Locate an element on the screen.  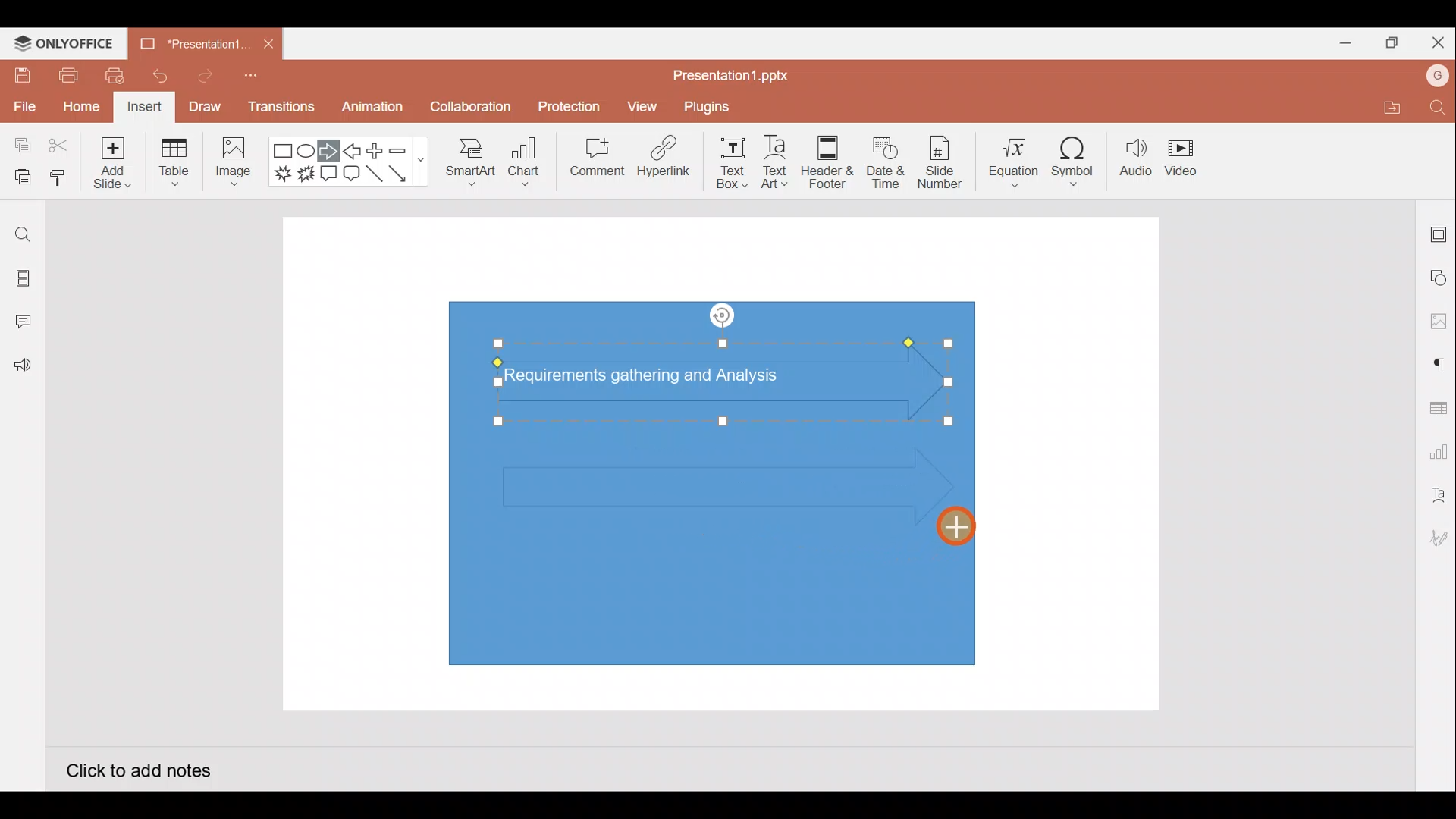
Rectangular callout is located at coordinates (329, 174).